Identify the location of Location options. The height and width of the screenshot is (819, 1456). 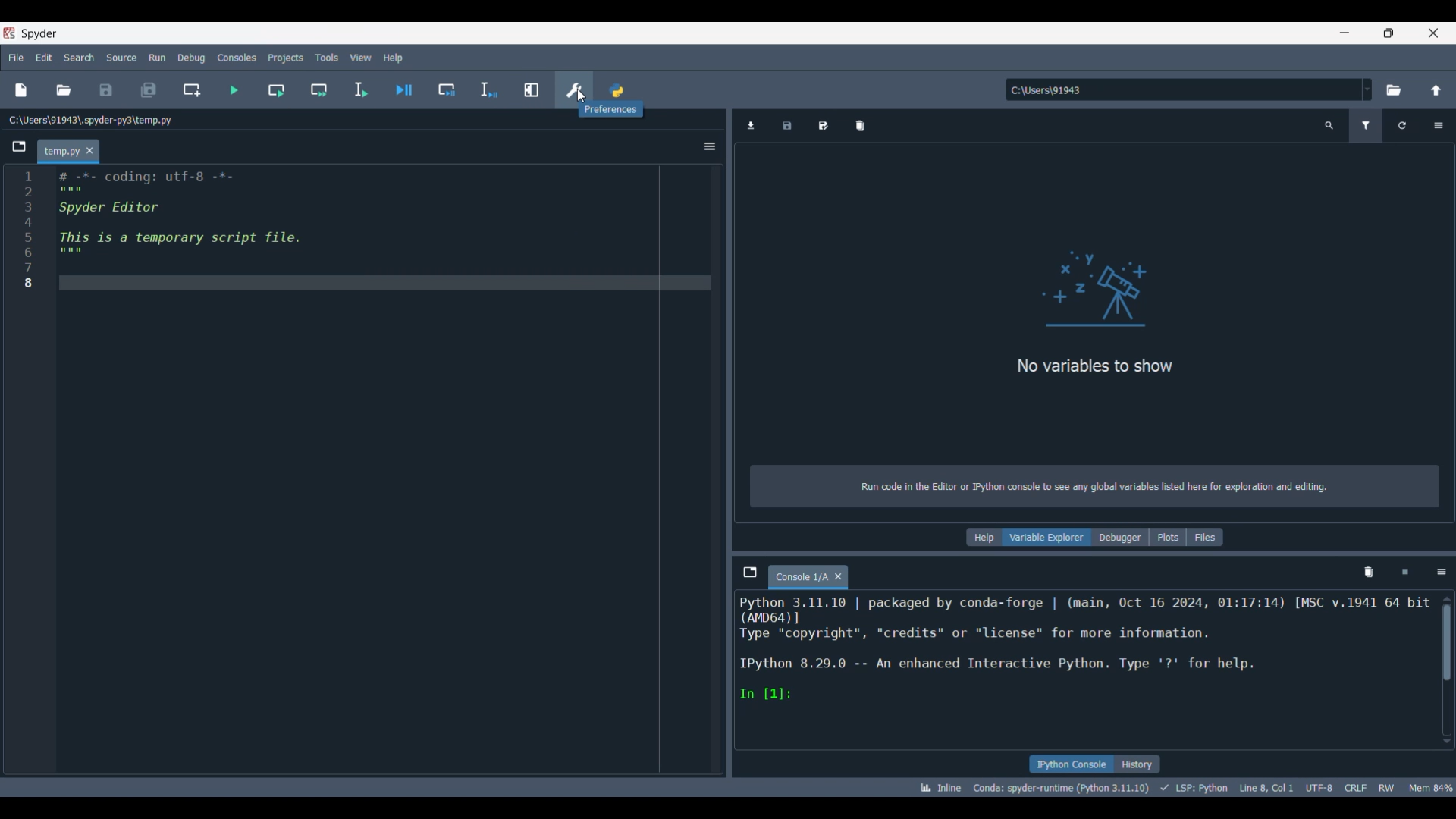
(1367, 89).